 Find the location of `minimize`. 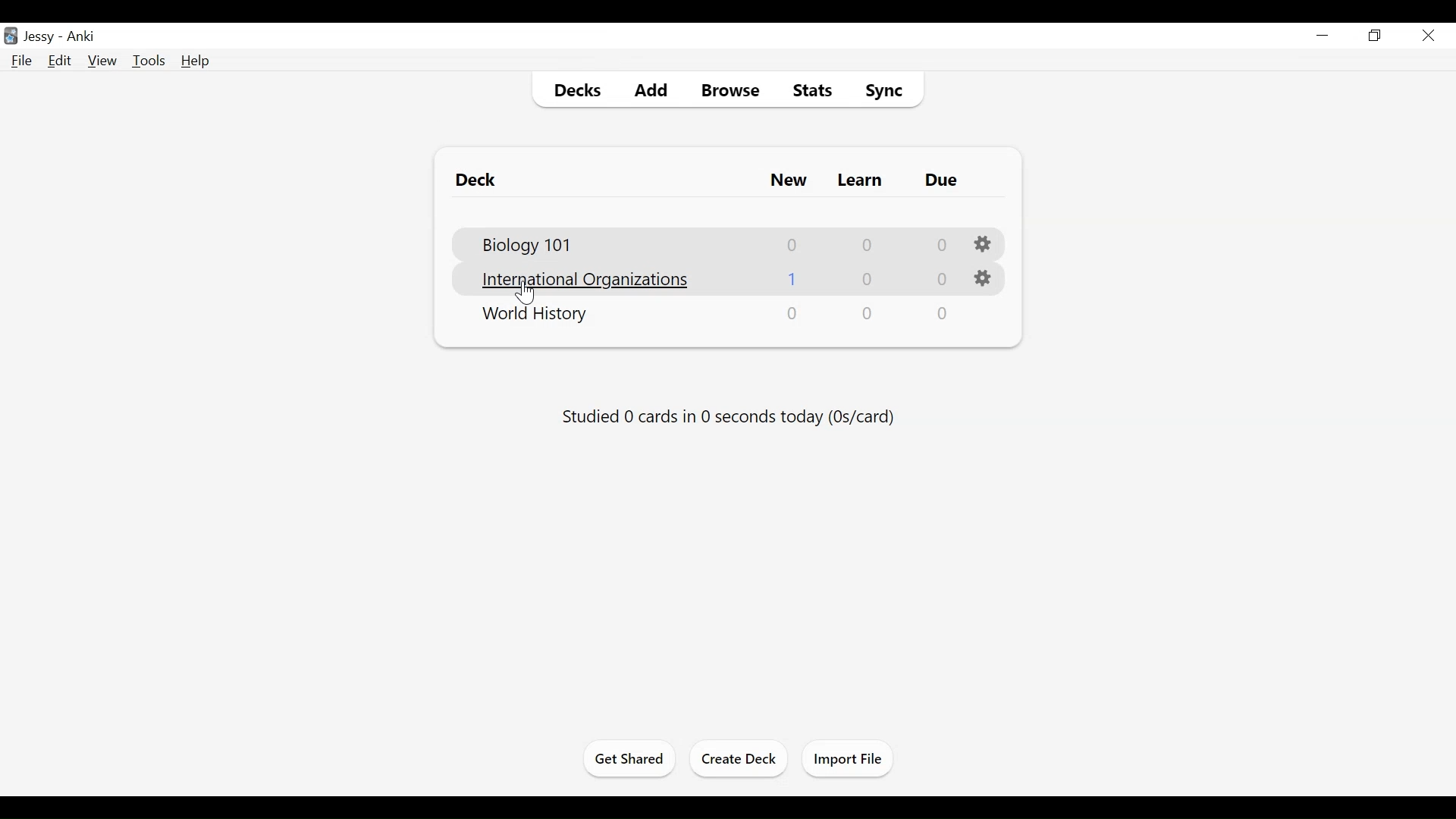

minimize is located at coordinates (1323, 36).